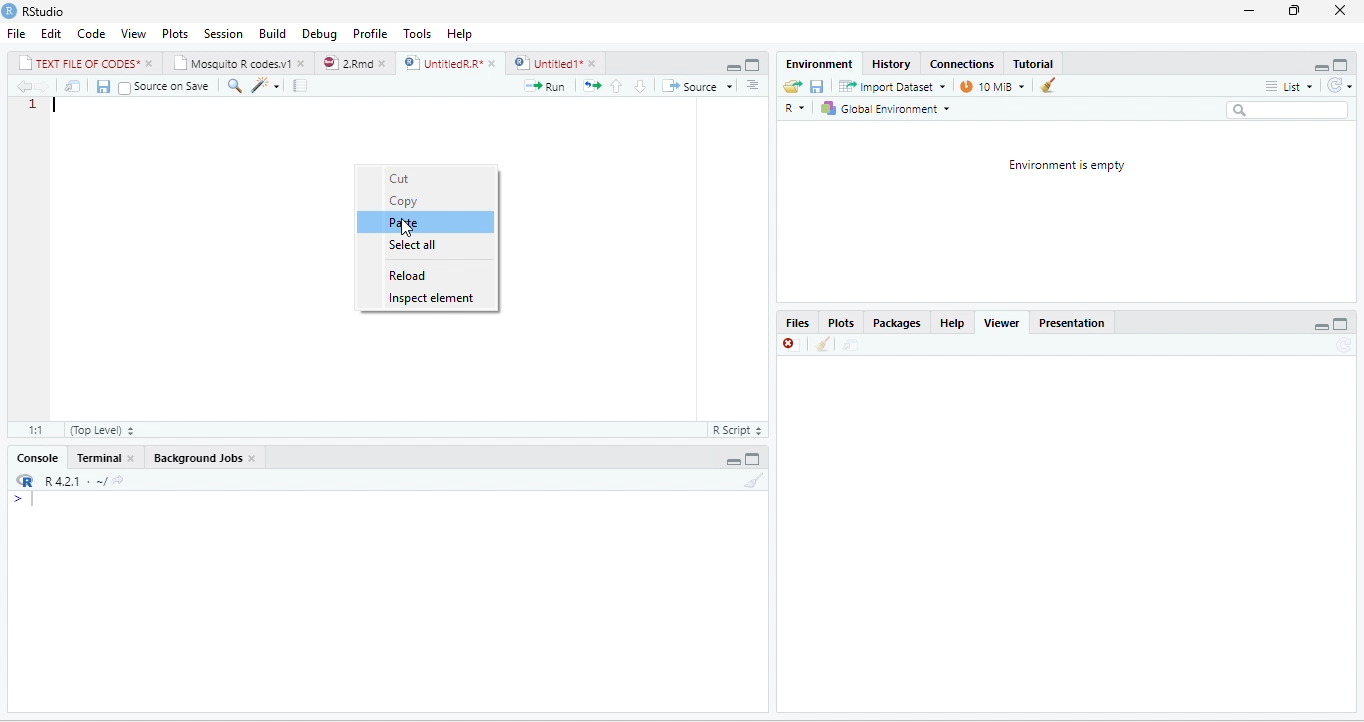 This screenshot has width=1364, height=722. What do you see at coordinates (752, 85) in the screenshot?
I see `show document outline` at bounding box center [752, 85].